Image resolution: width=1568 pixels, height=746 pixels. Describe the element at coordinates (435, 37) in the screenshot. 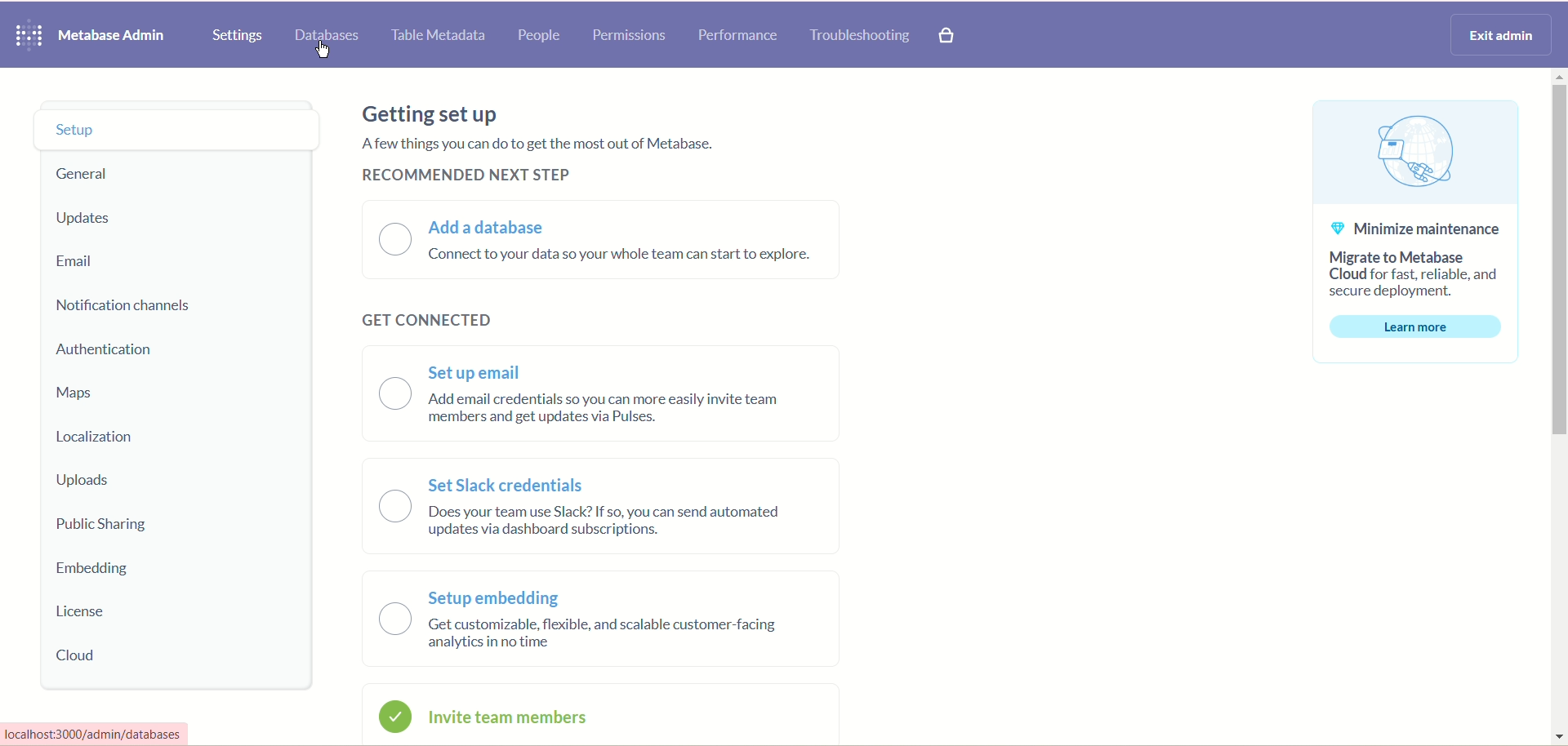

I see `table metabase` at that location.